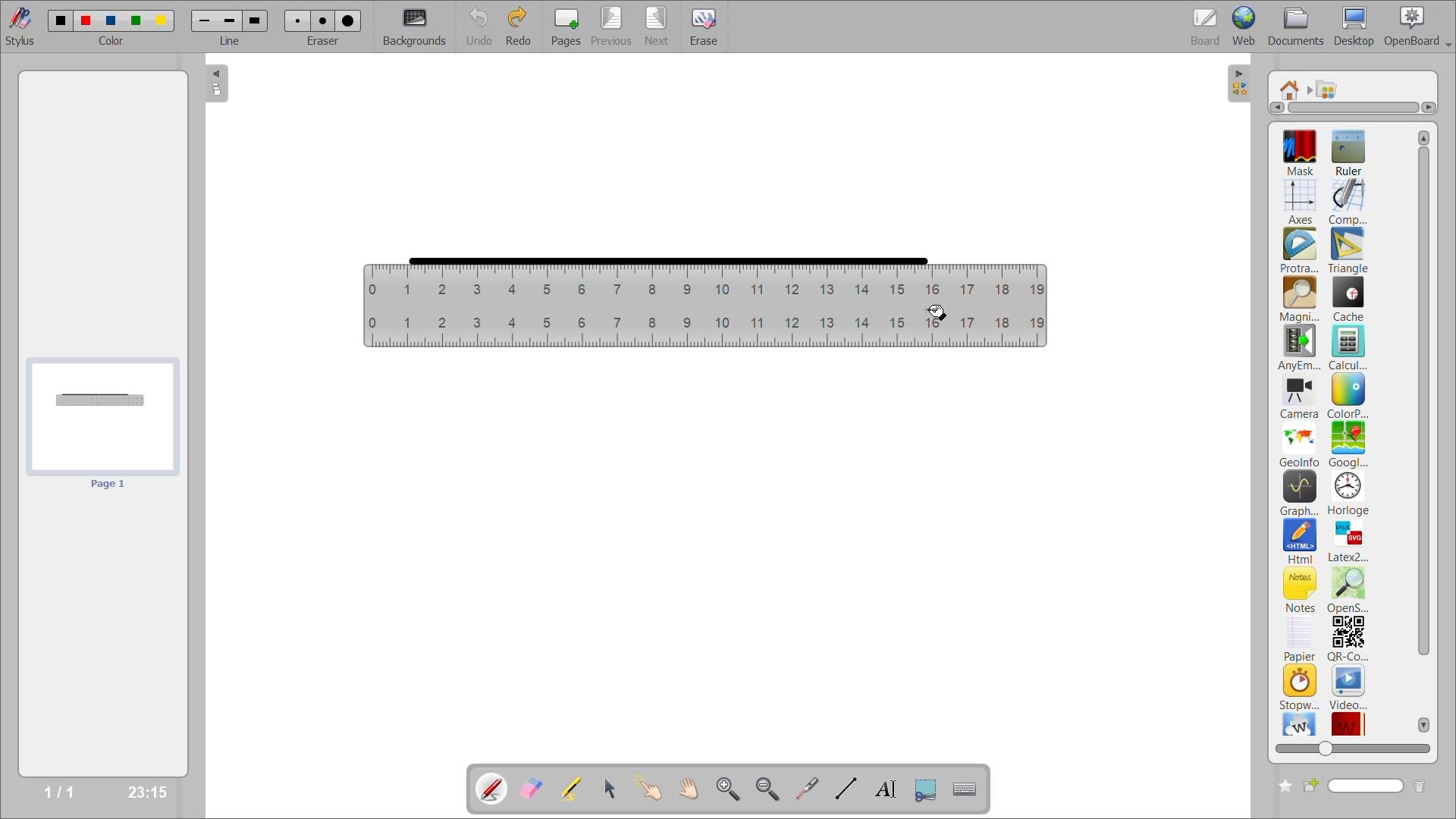 This screenshot has height=819, width=1456. Describe the element at coordinates (17, 24) in the screenshot. I see `stylus` at that location.